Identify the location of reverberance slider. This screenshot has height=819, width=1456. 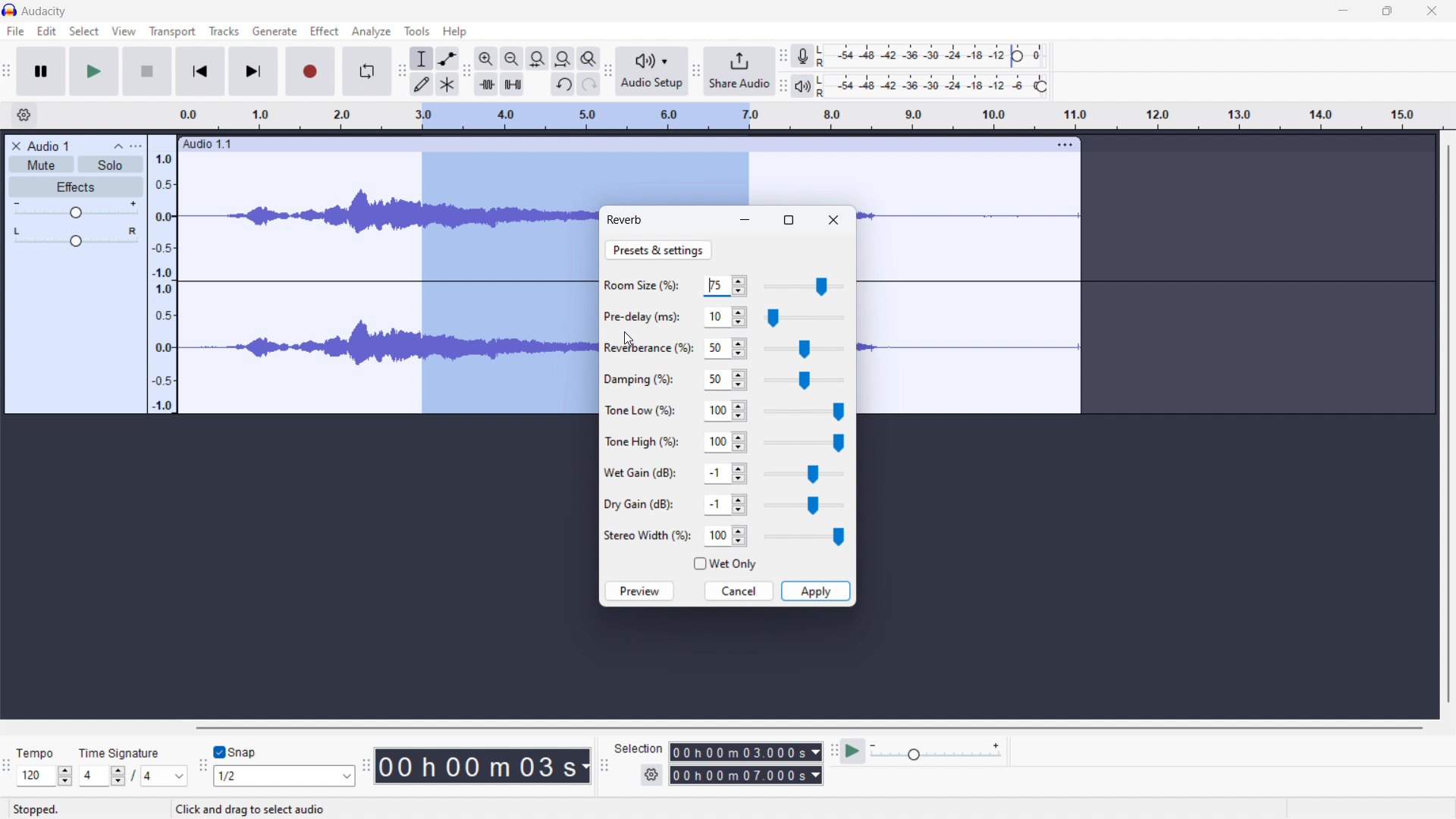
(802, 347).